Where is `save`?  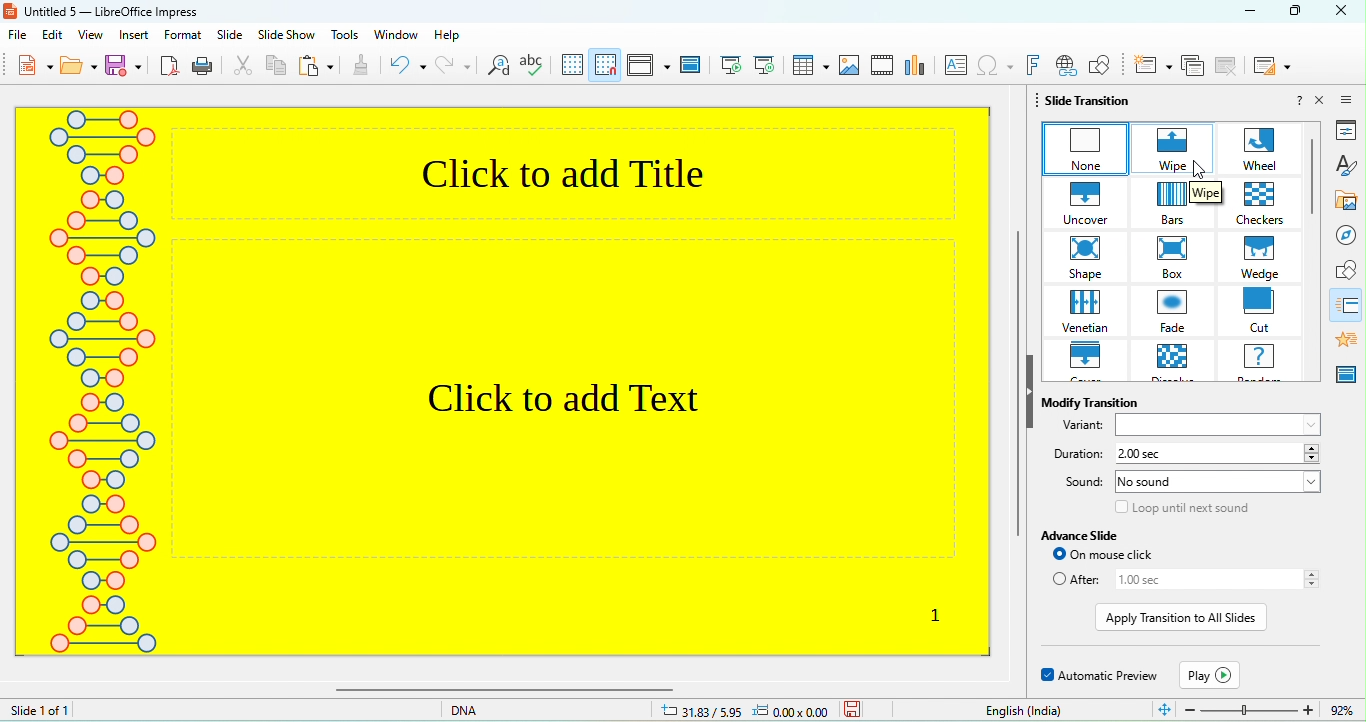 save is located at coordinates (126, 65).